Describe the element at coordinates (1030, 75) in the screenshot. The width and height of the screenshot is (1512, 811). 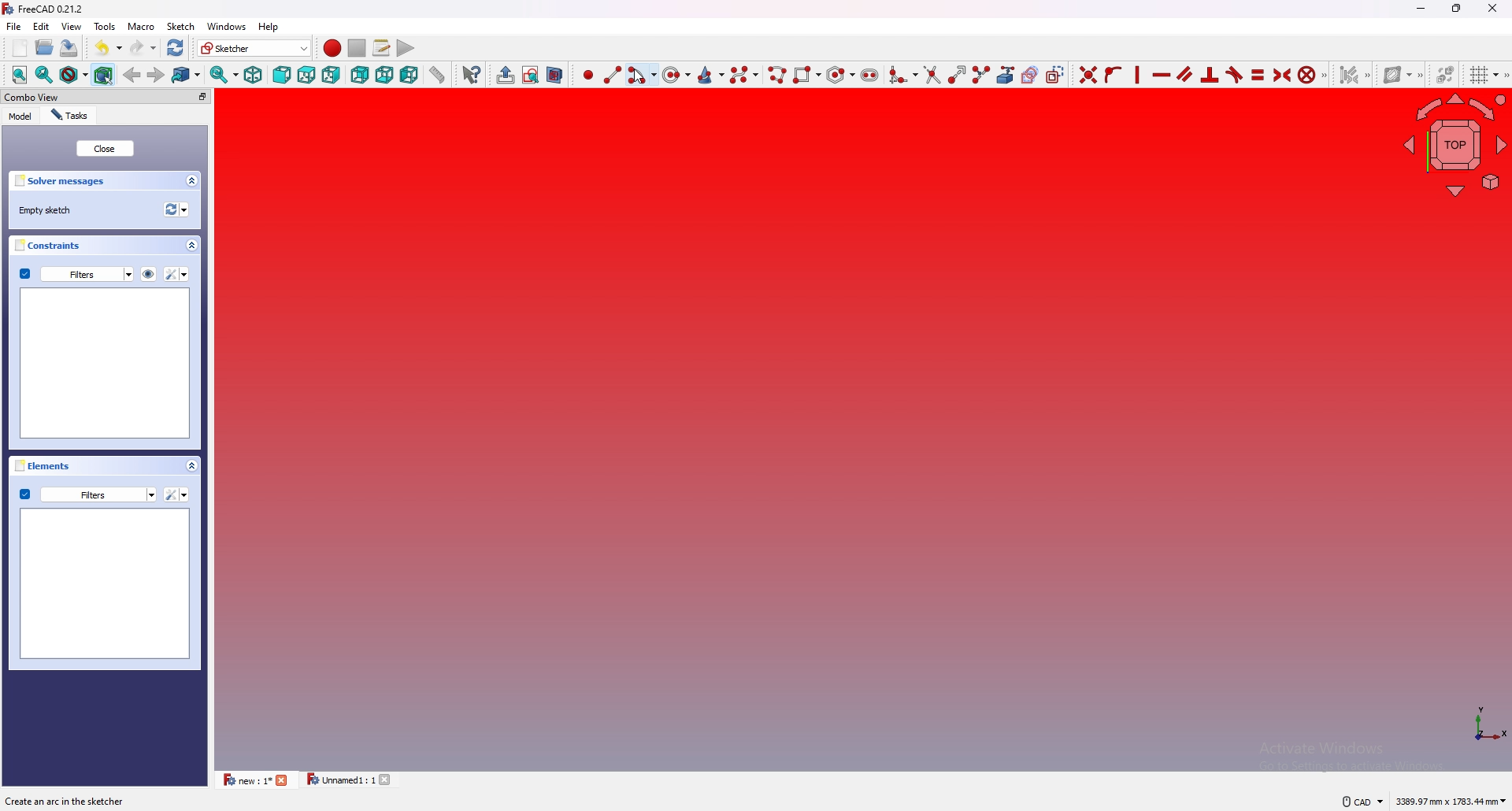
I see `create carbon copy` at that location.